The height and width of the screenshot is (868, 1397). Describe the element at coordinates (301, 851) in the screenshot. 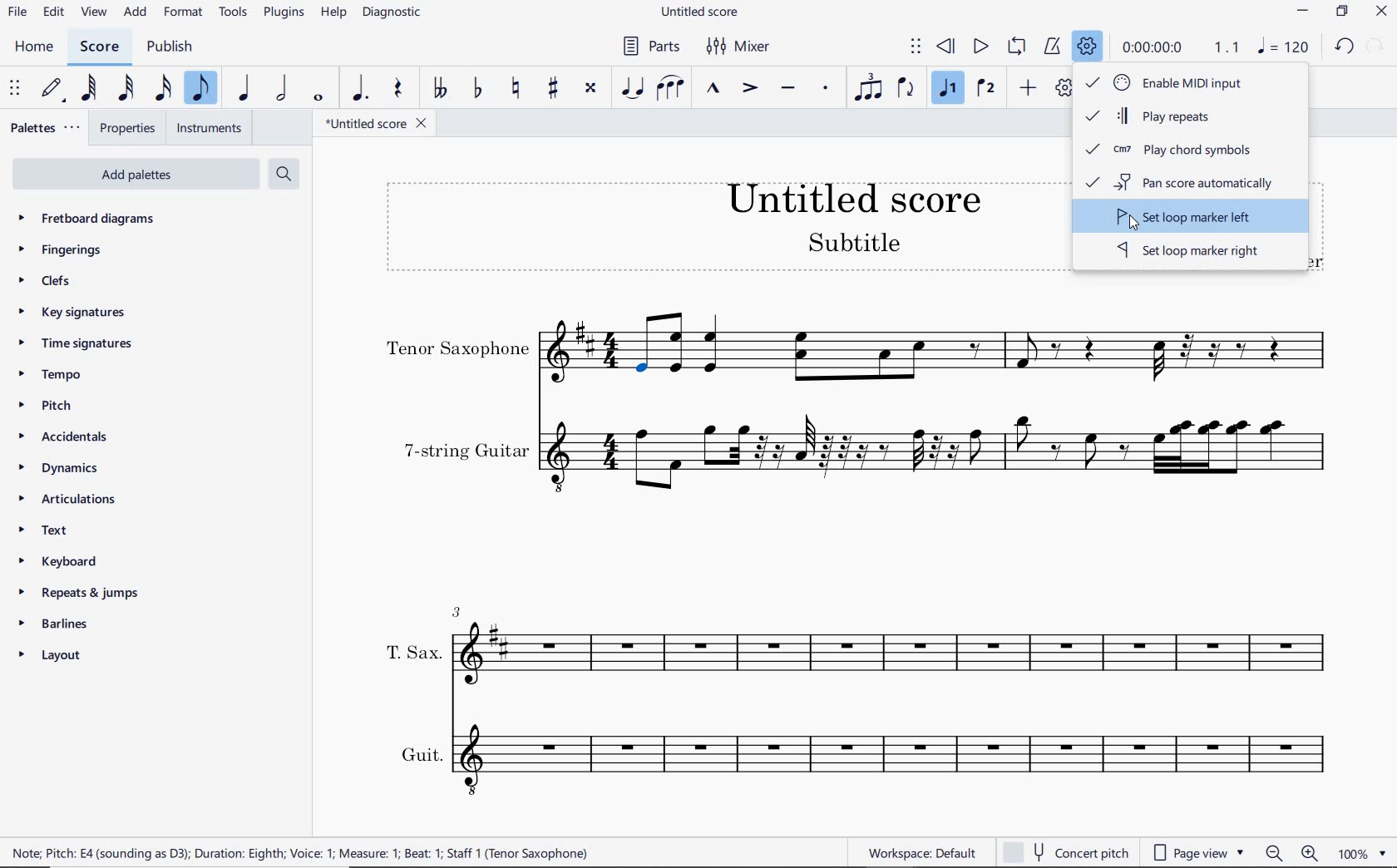

I see `score description` at that location.